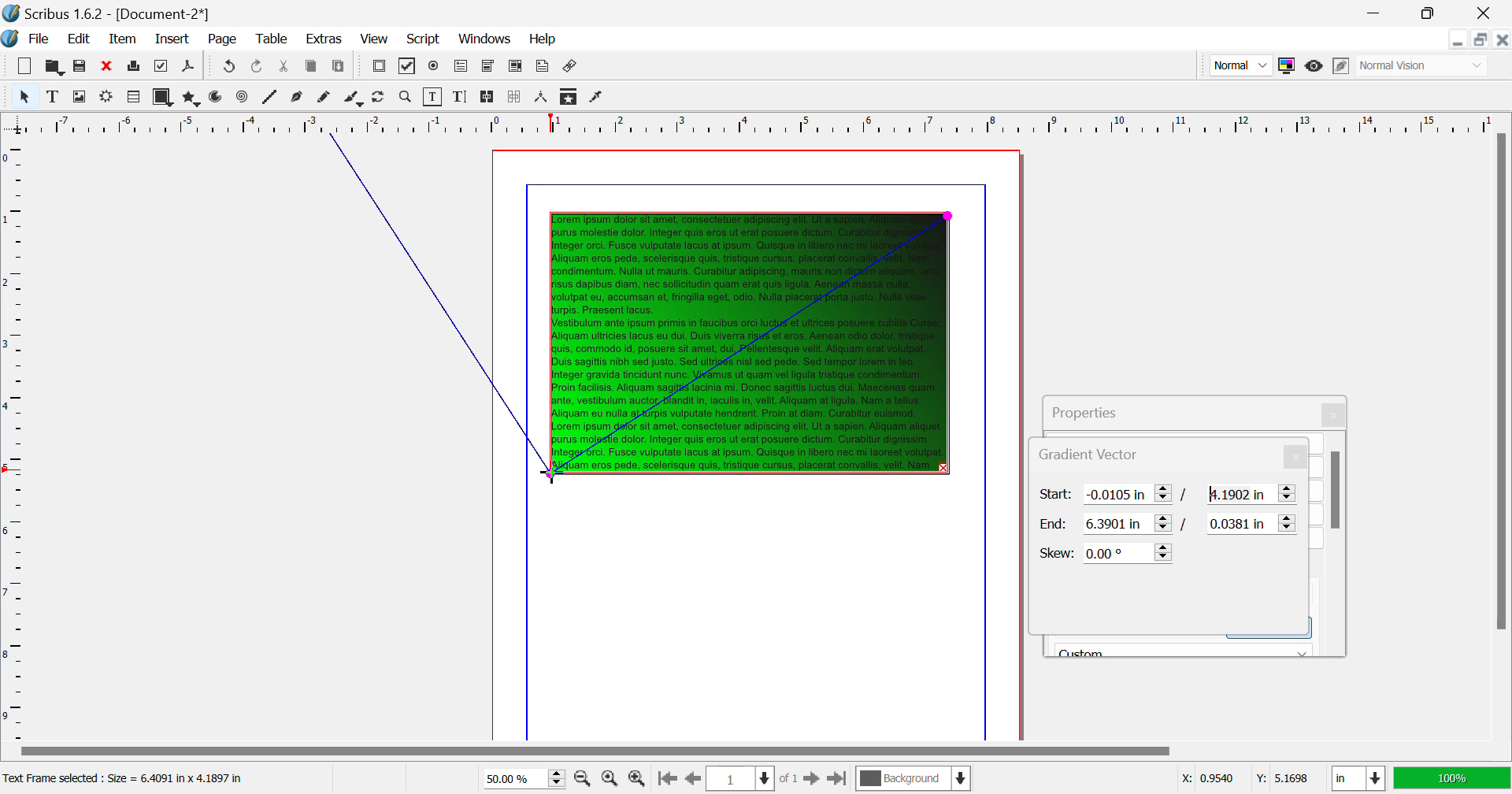 The image size is (1512, 794). What do you see at coordinates (107, 66) in the screenshot?
I see `Discard` at bounding box center [107, 66].